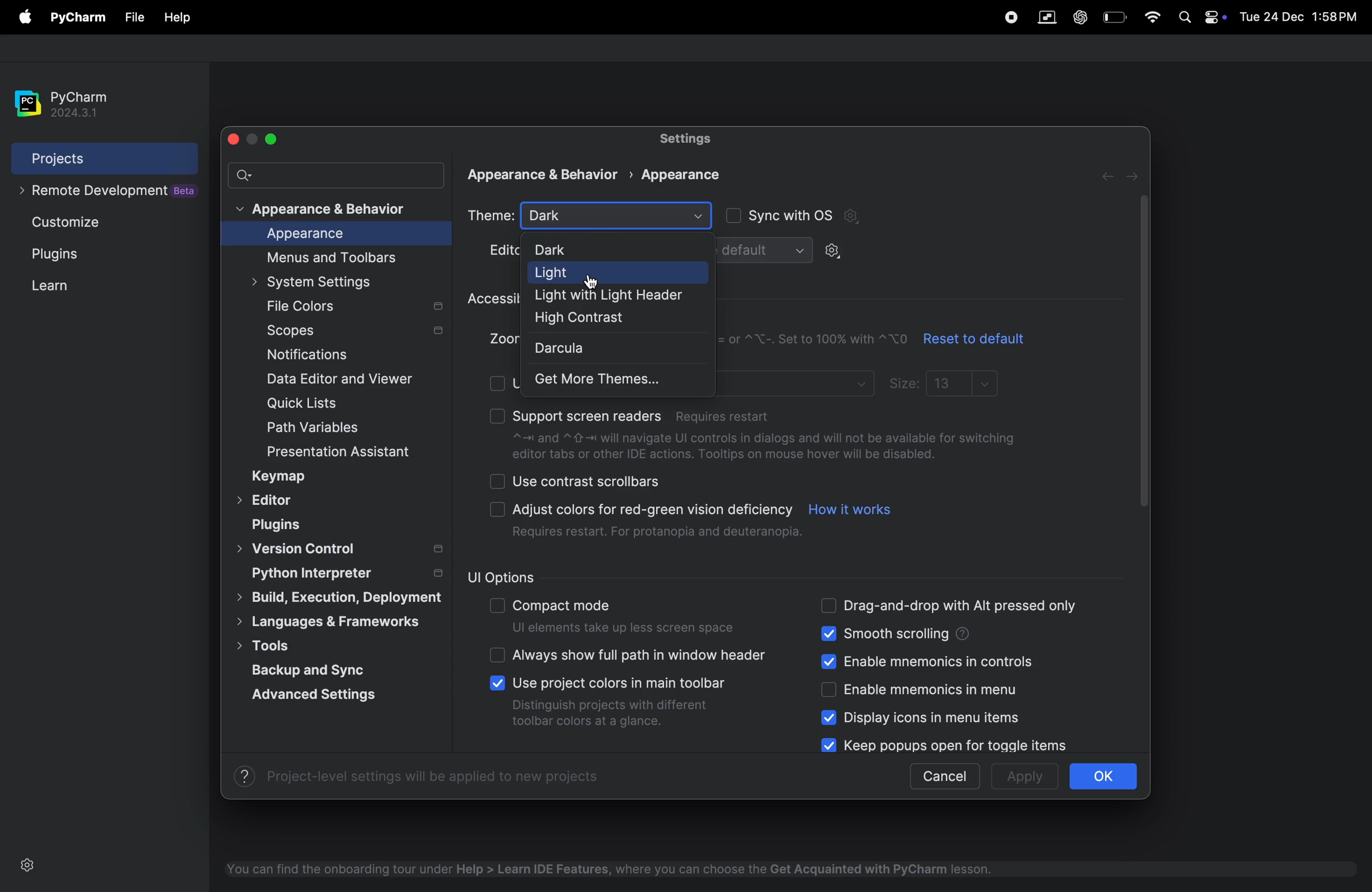  Describe the element at coordinates (905, 383) in the screenshot. I see `sizes` at that location.